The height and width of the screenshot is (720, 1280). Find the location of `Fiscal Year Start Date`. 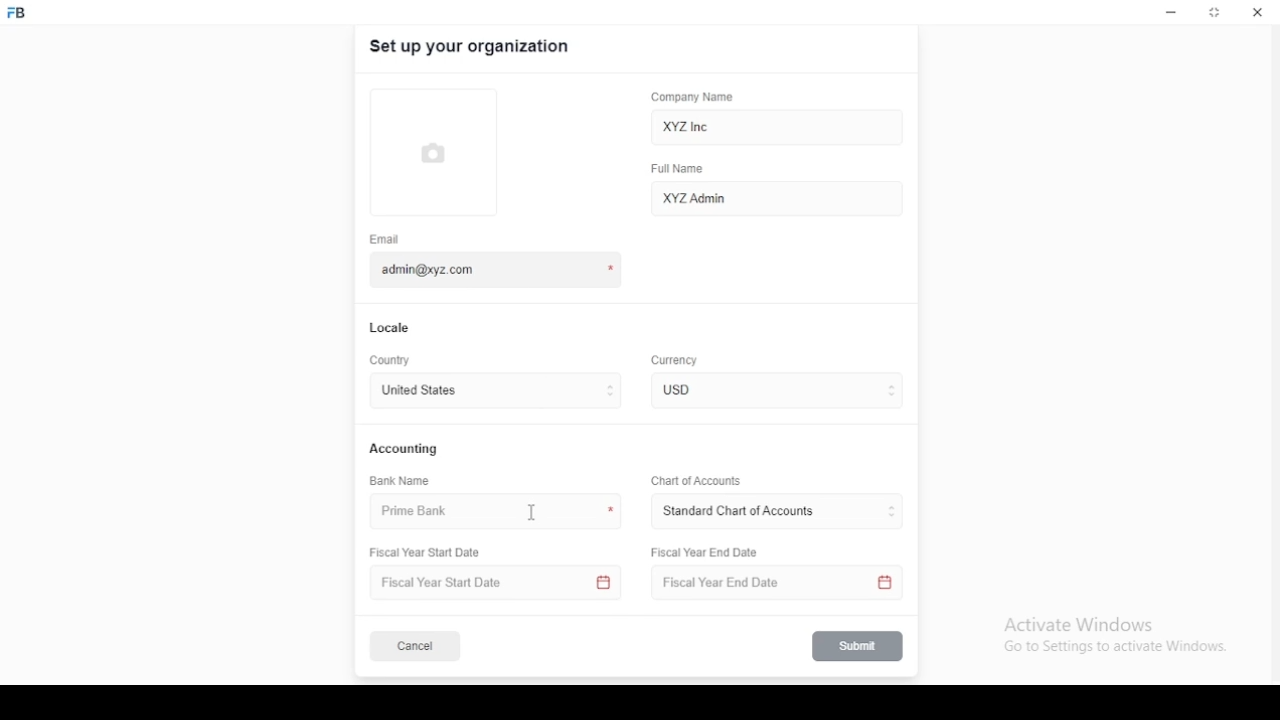

Fiscal Year Start Date is located at coordinates (498, 583).